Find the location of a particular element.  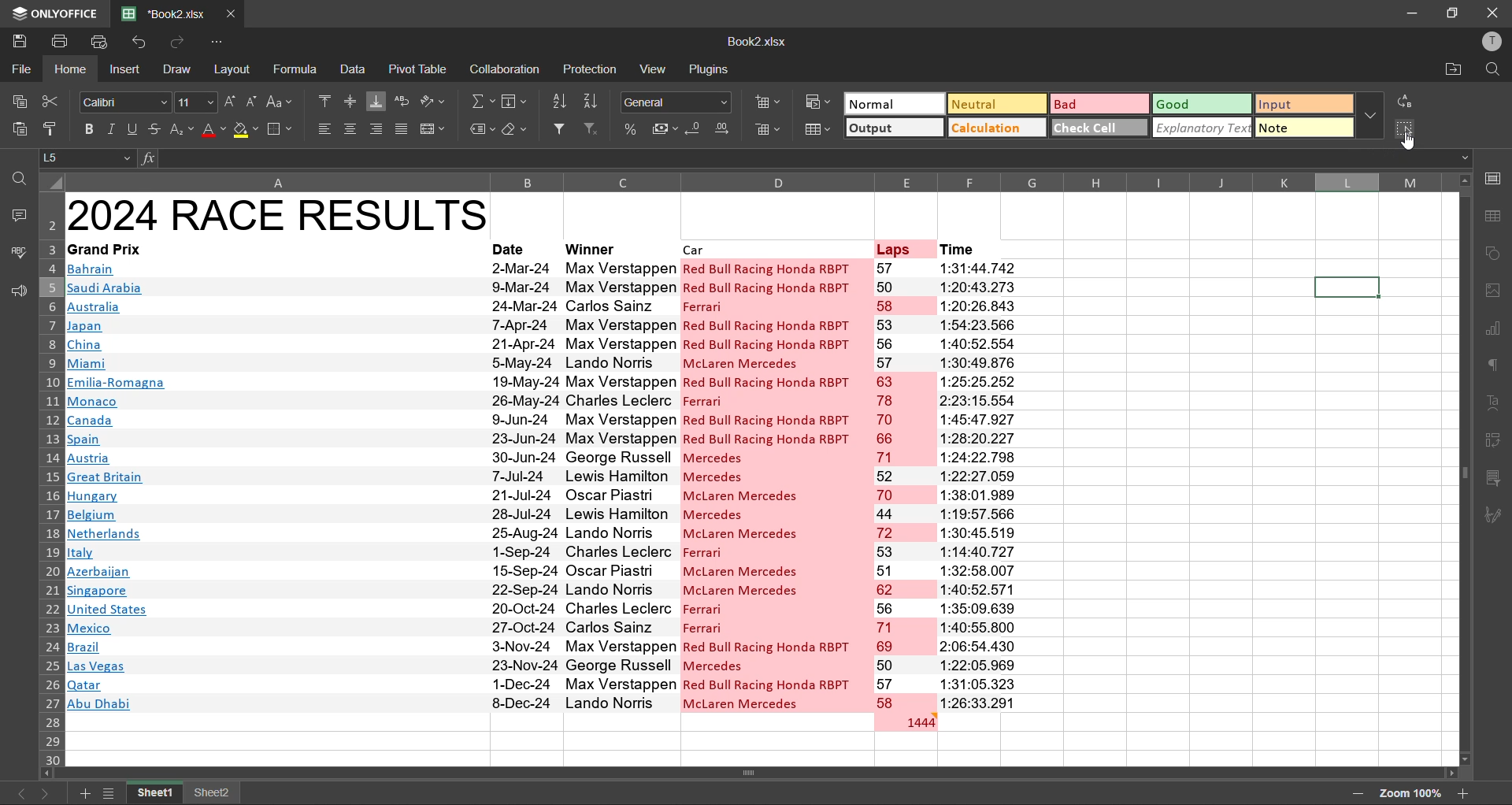

paste is located at coordinates (17, 128).